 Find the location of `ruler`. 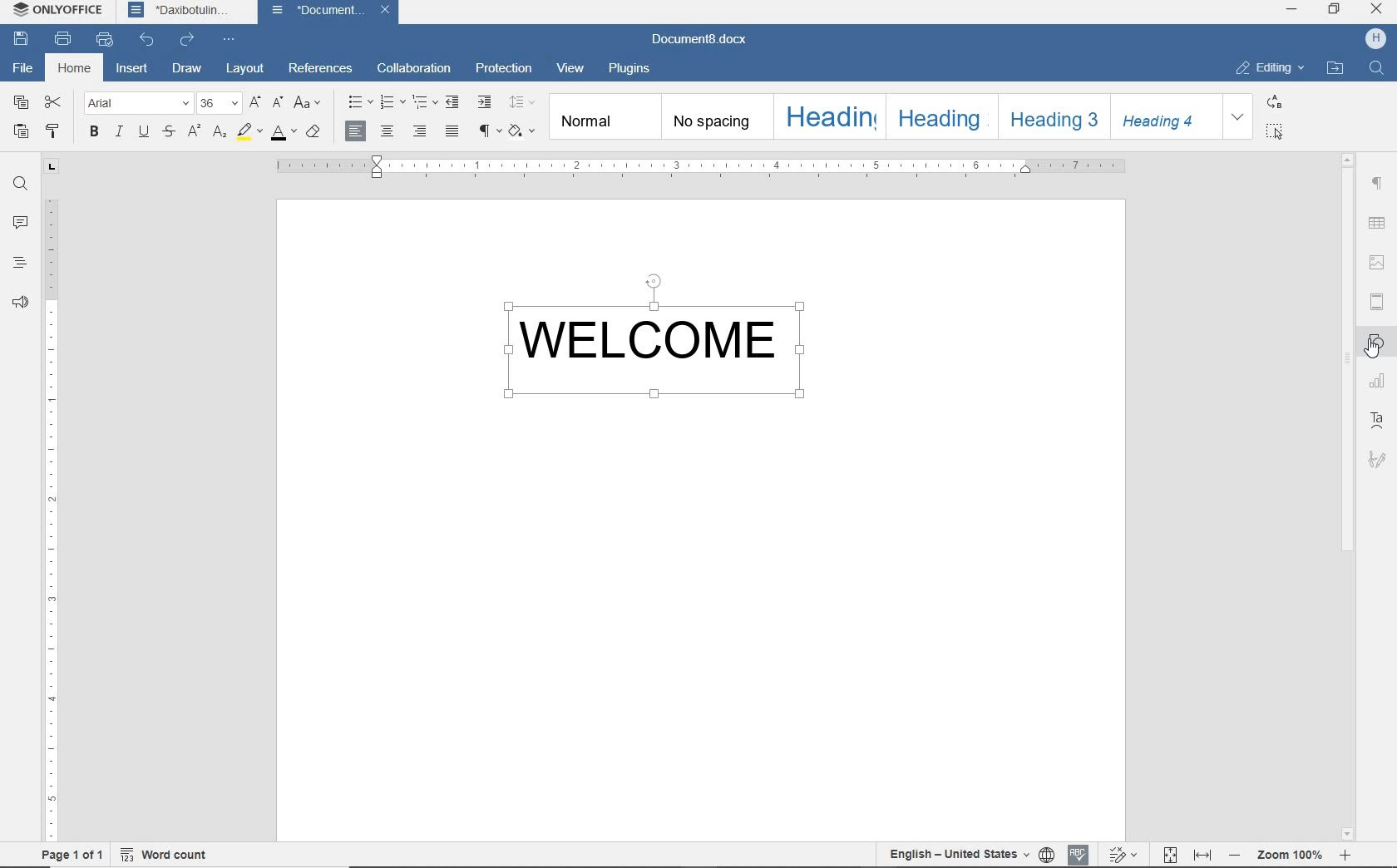

ruler is located at coordinates (701, 166).